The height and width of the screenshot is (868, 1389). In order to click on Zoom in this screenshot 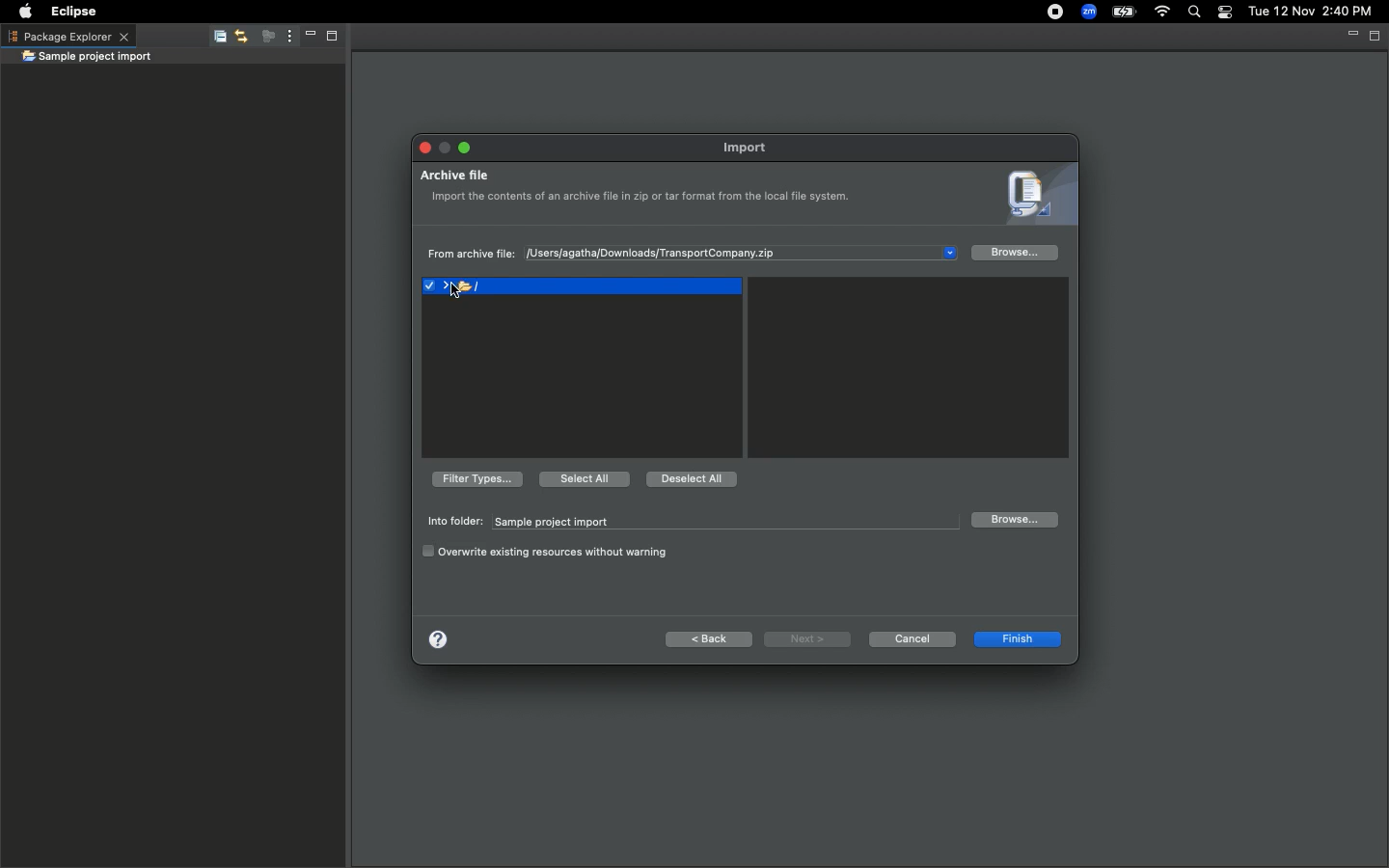, I will do `click(1087, 12)`.